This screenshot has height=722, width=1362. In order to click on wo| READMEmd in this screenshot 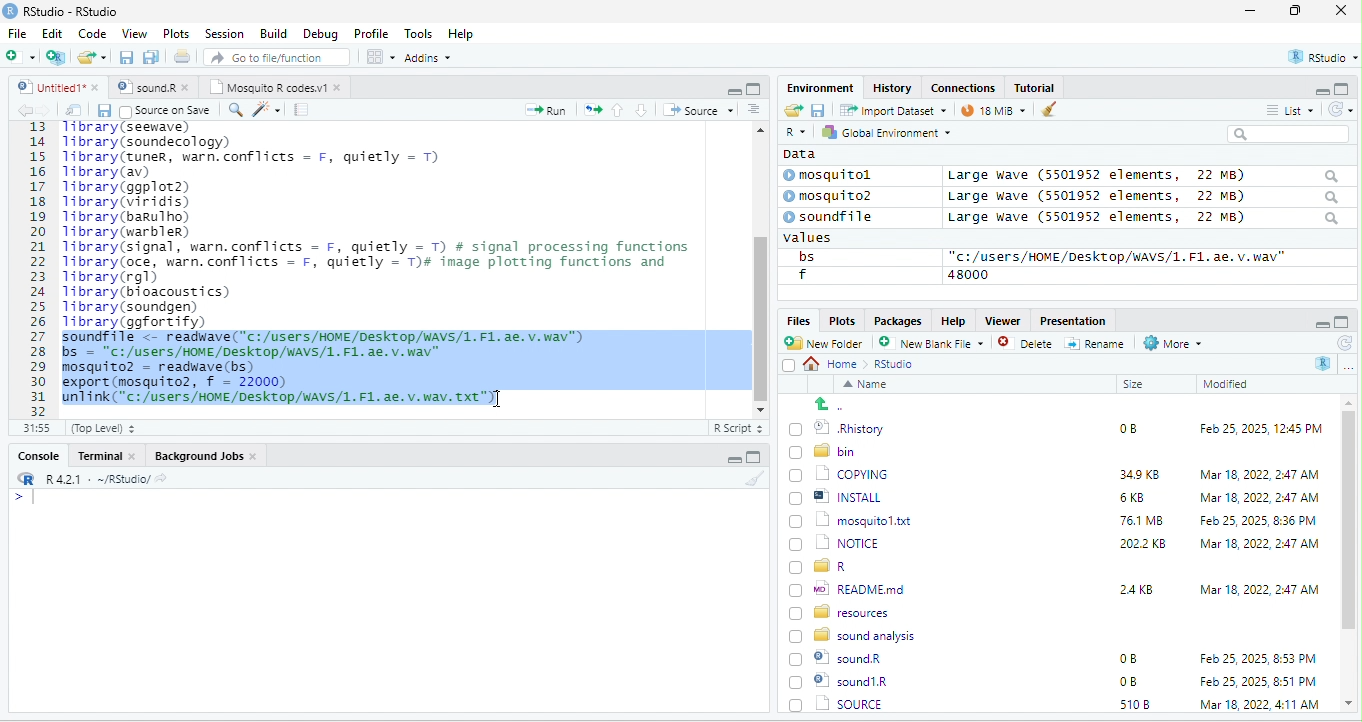, I will do `click(852, 588)`.